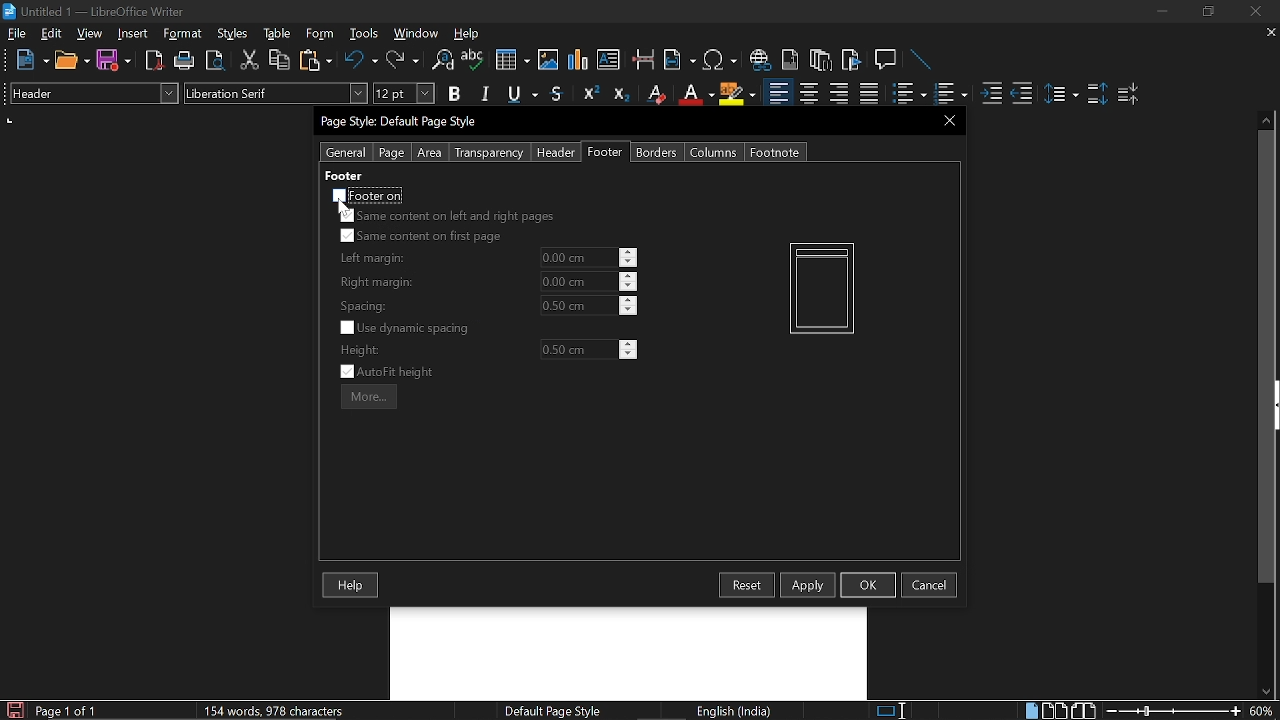 The image size is (1280, 720). I want to click on Insert bibliography, so click(852, 61).